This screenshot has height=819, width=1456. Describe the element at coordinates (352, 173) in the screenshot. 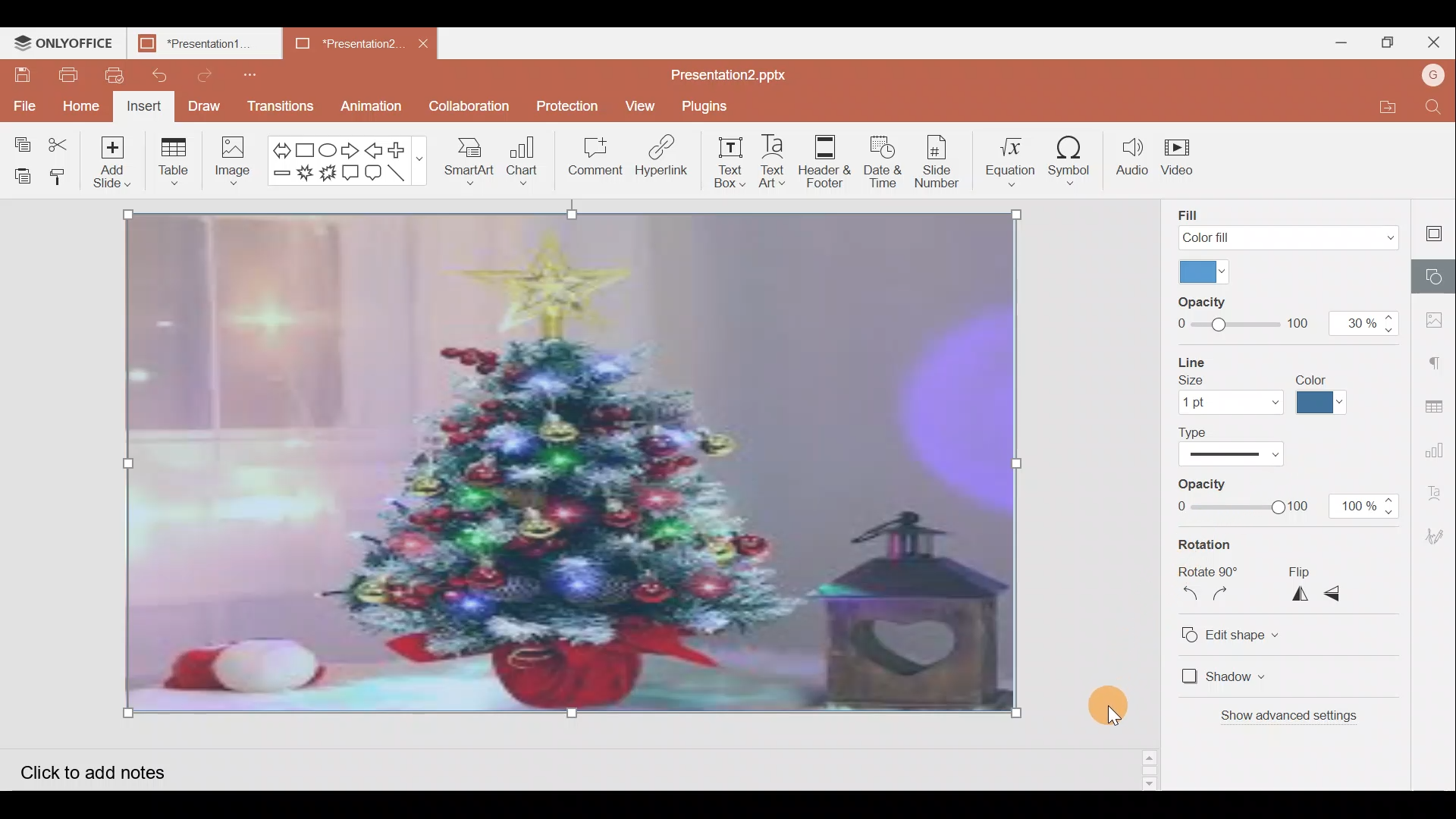

I see `Rectangular callout` at that location.